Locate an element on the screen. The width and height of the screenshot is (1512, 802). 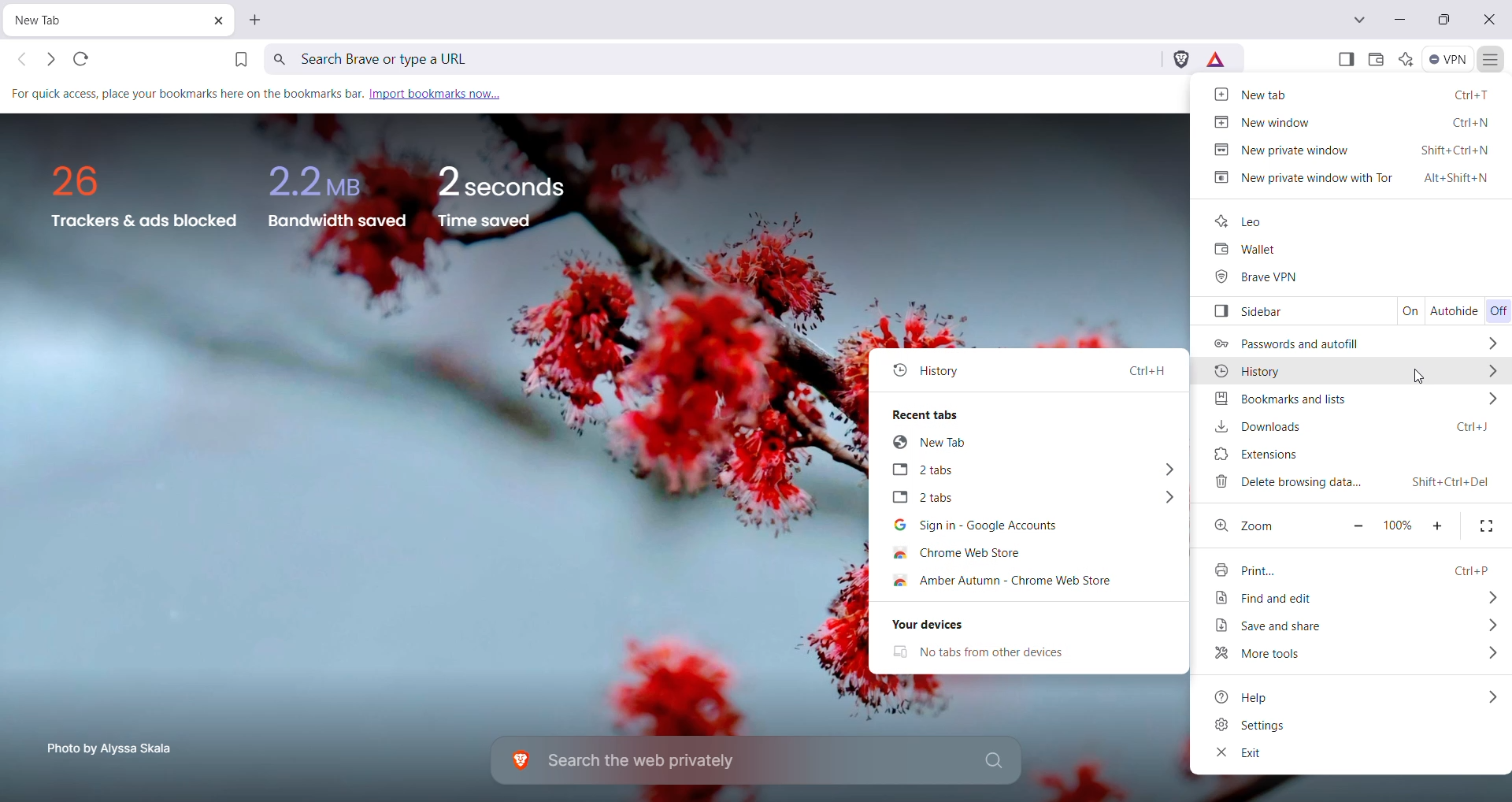
Delete browsing data is located at coordinates (1352, 482).